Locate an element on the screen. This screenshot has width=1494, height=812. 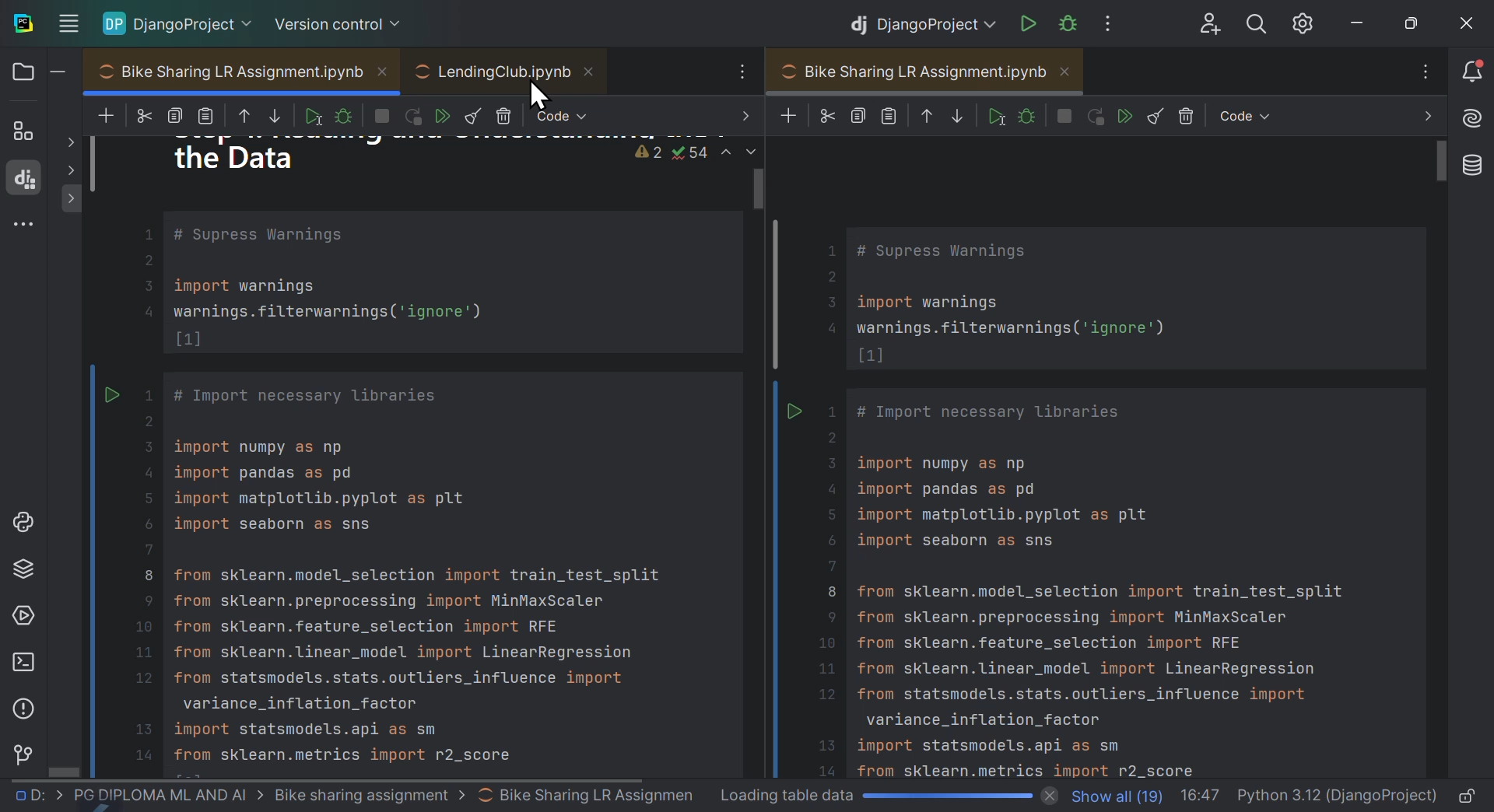
Delete is located at coordinates (505, 114).